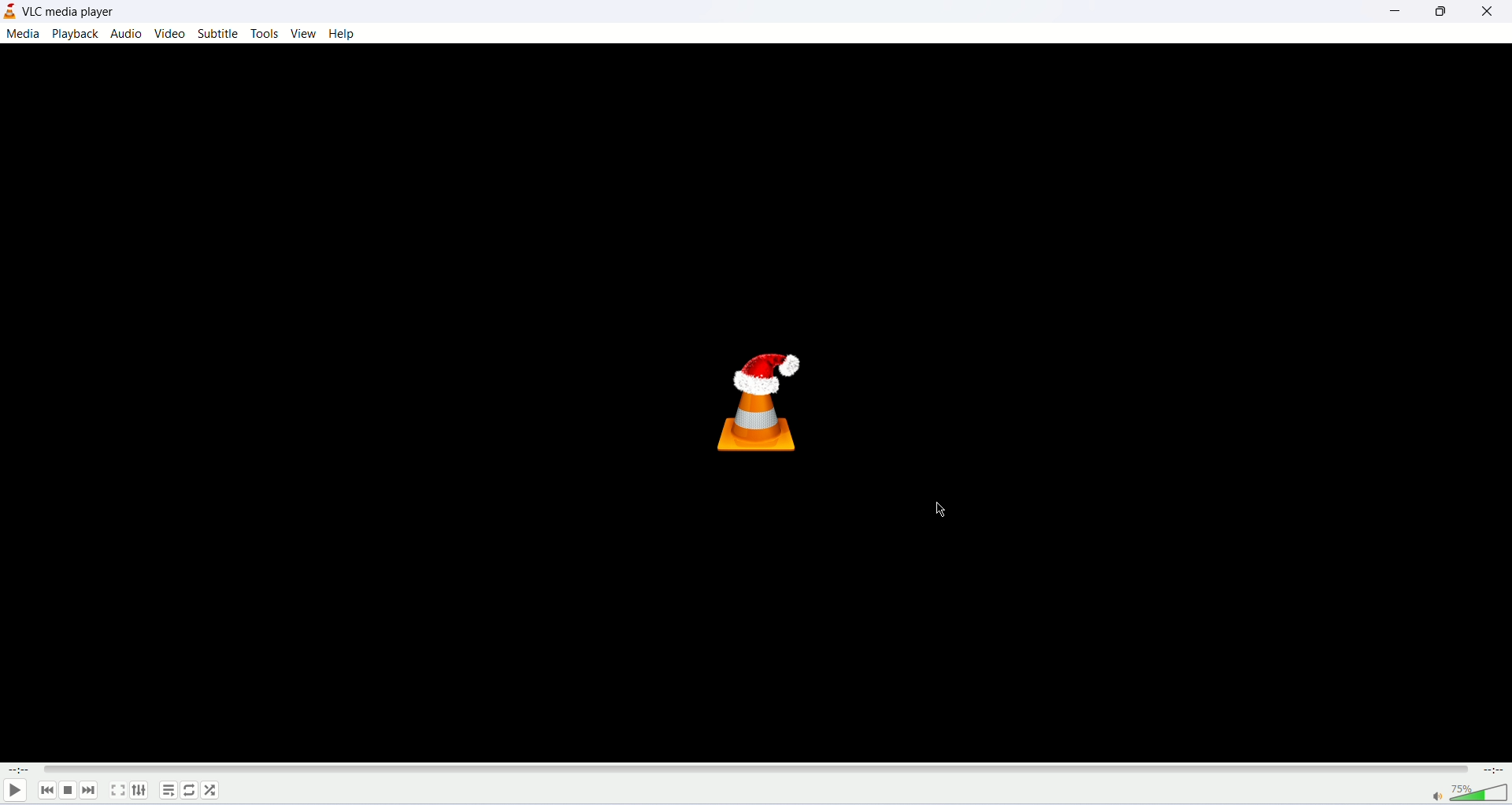 This screenshot has height=805, width=1512. What do you see at coordinates (345, 34) in the screenshot?
I see `help` at bounding box center [345, 34].